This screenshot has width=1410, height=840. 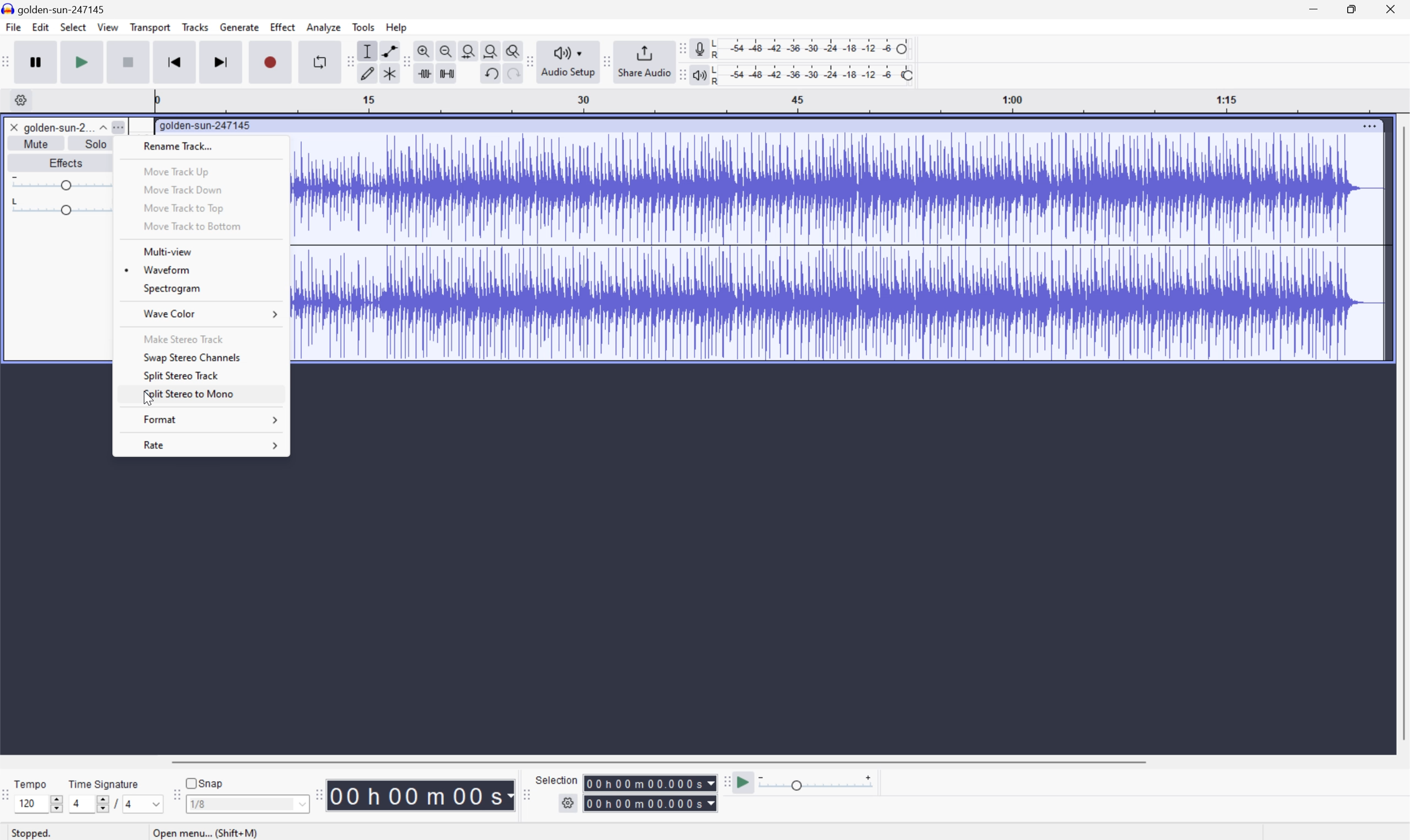 I want to click on golden-sun-247145, so click(x=209, y=125).